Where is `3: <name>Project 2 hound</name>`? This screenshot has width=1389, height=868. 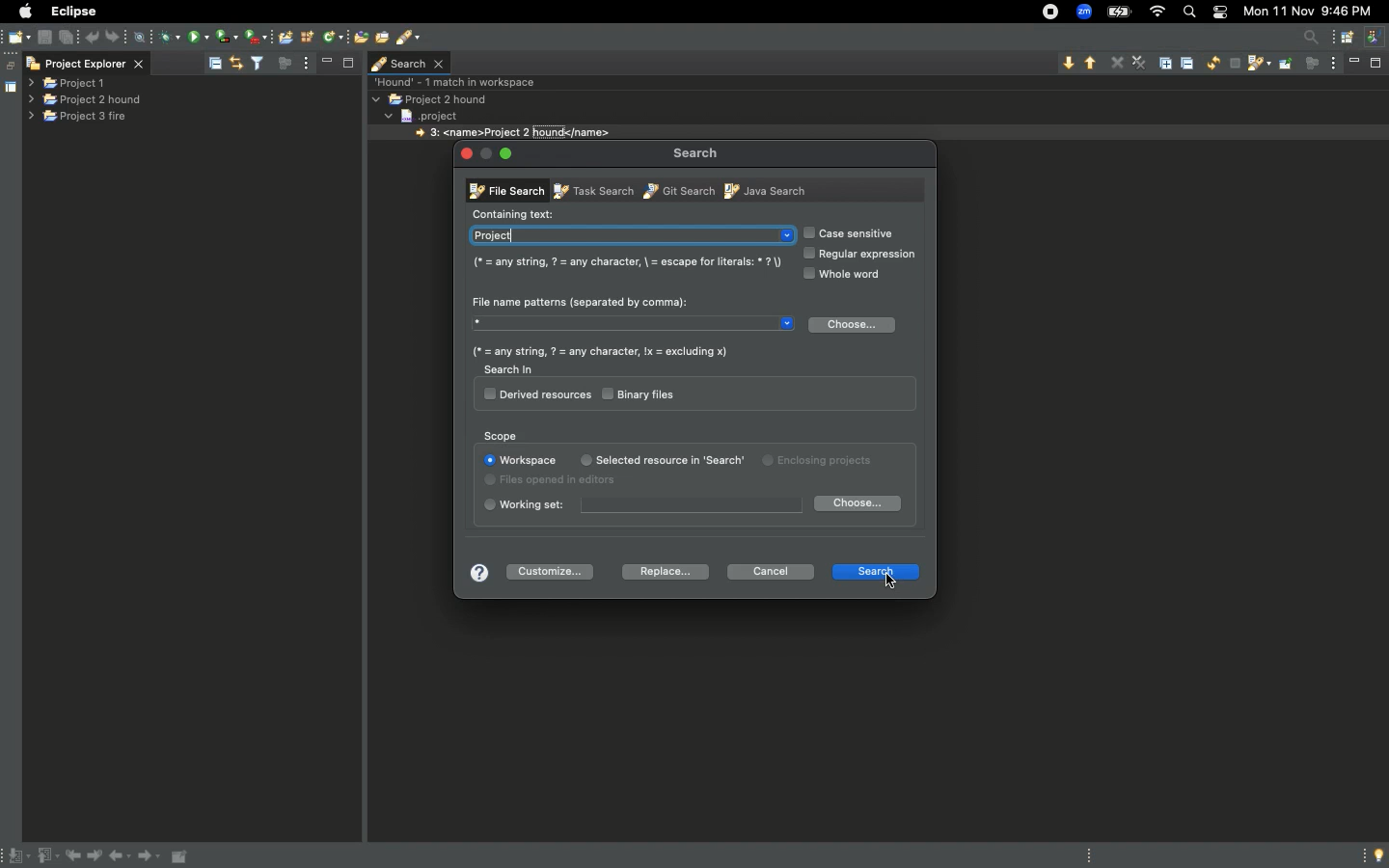 3: <name>Project 2 hound</name> is located at coordinates (513, 132).